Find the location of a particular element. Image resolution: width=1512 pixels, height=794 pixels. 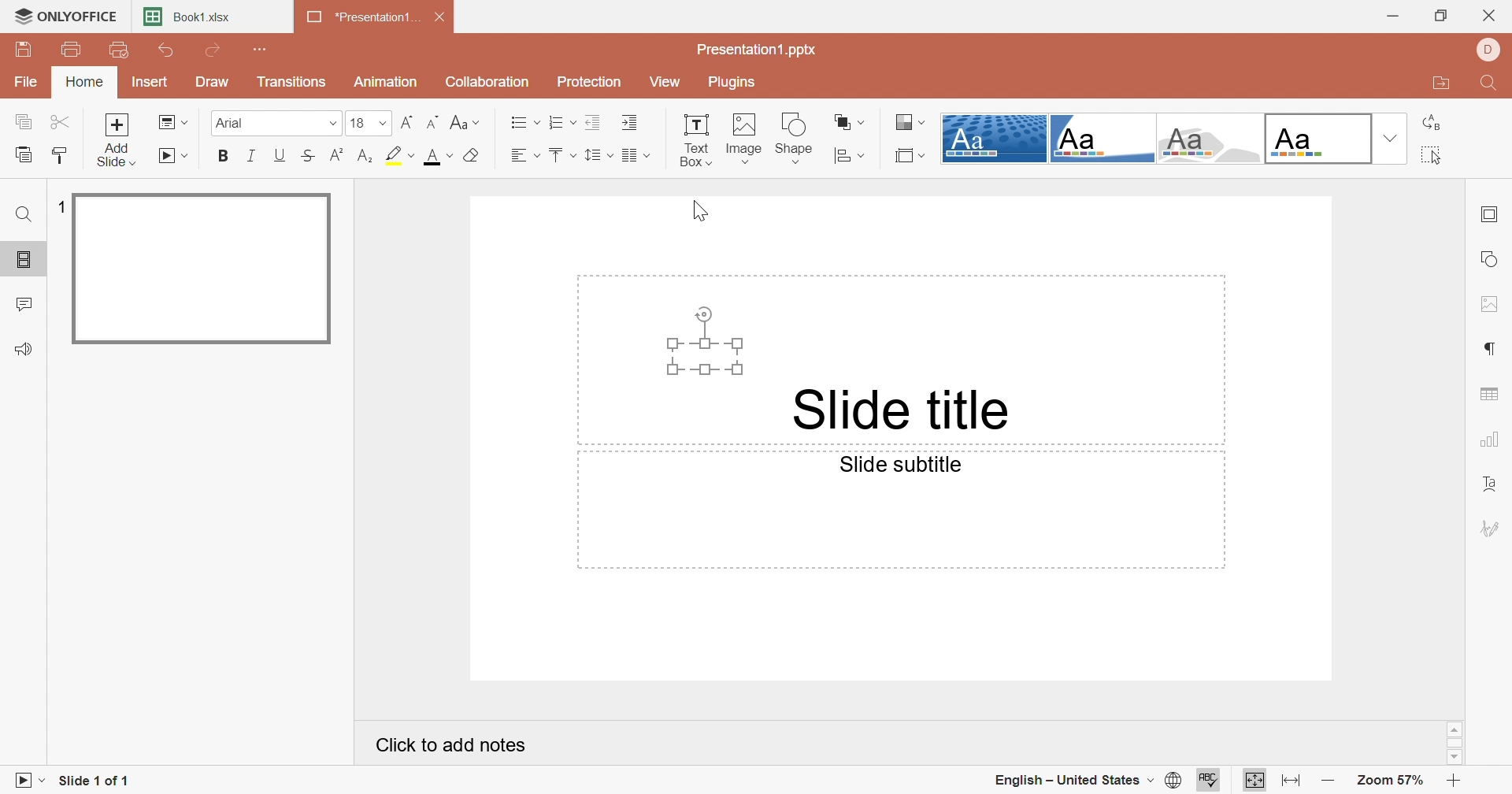

Paste is located at coordinates (22, 154).